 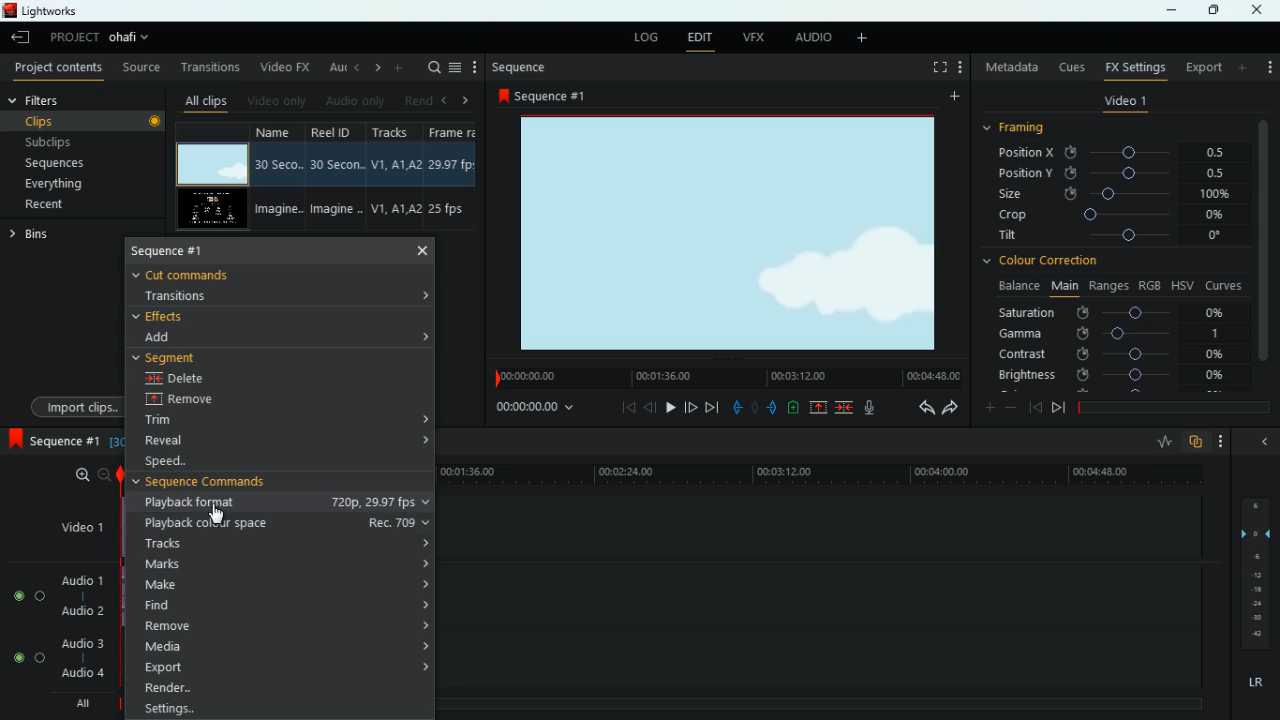 I want to click on cues, so click(x=1066, y=66).